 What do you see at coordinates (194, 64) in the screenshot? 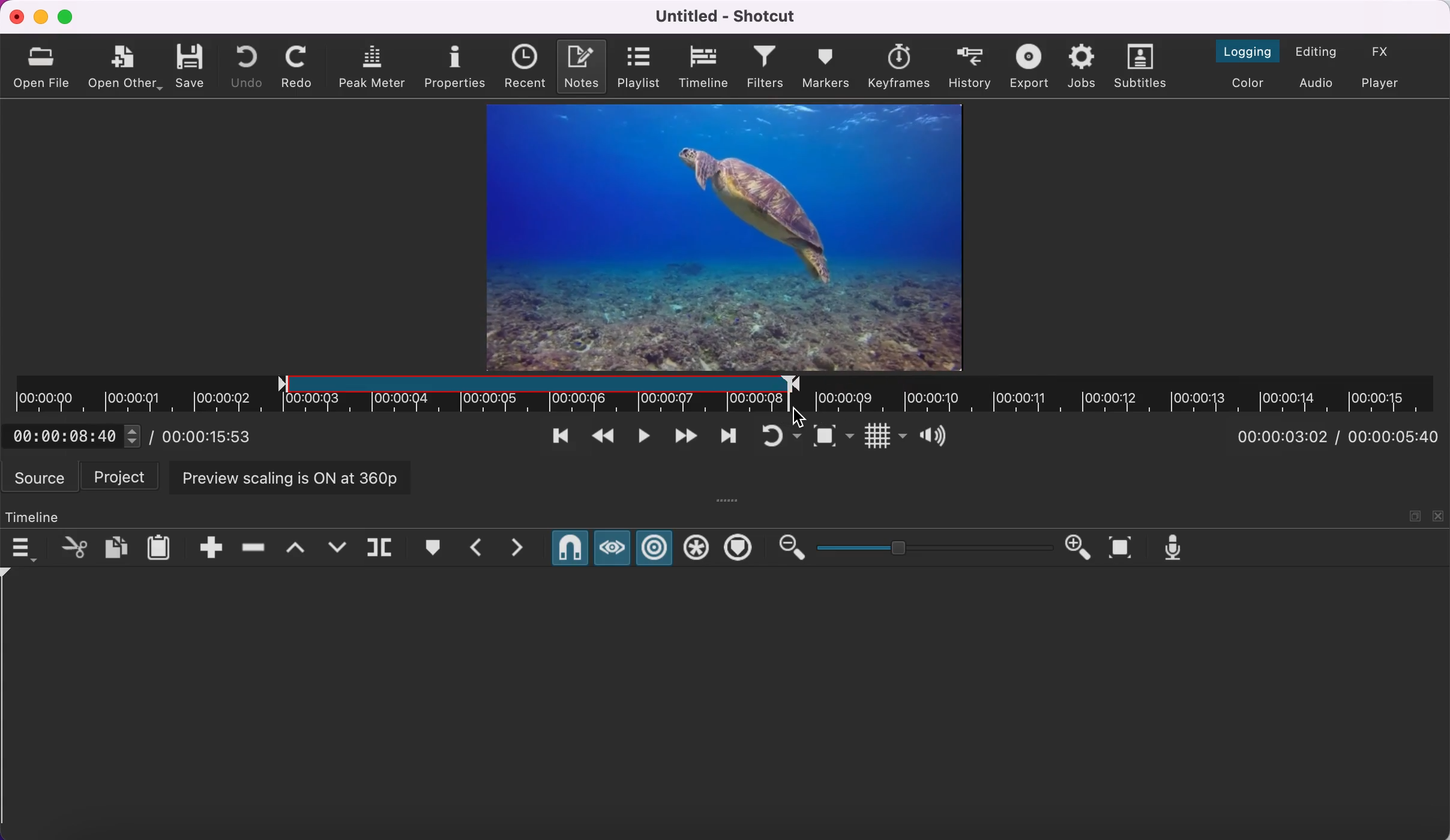
I see `save` at bounding box center [194, 64].